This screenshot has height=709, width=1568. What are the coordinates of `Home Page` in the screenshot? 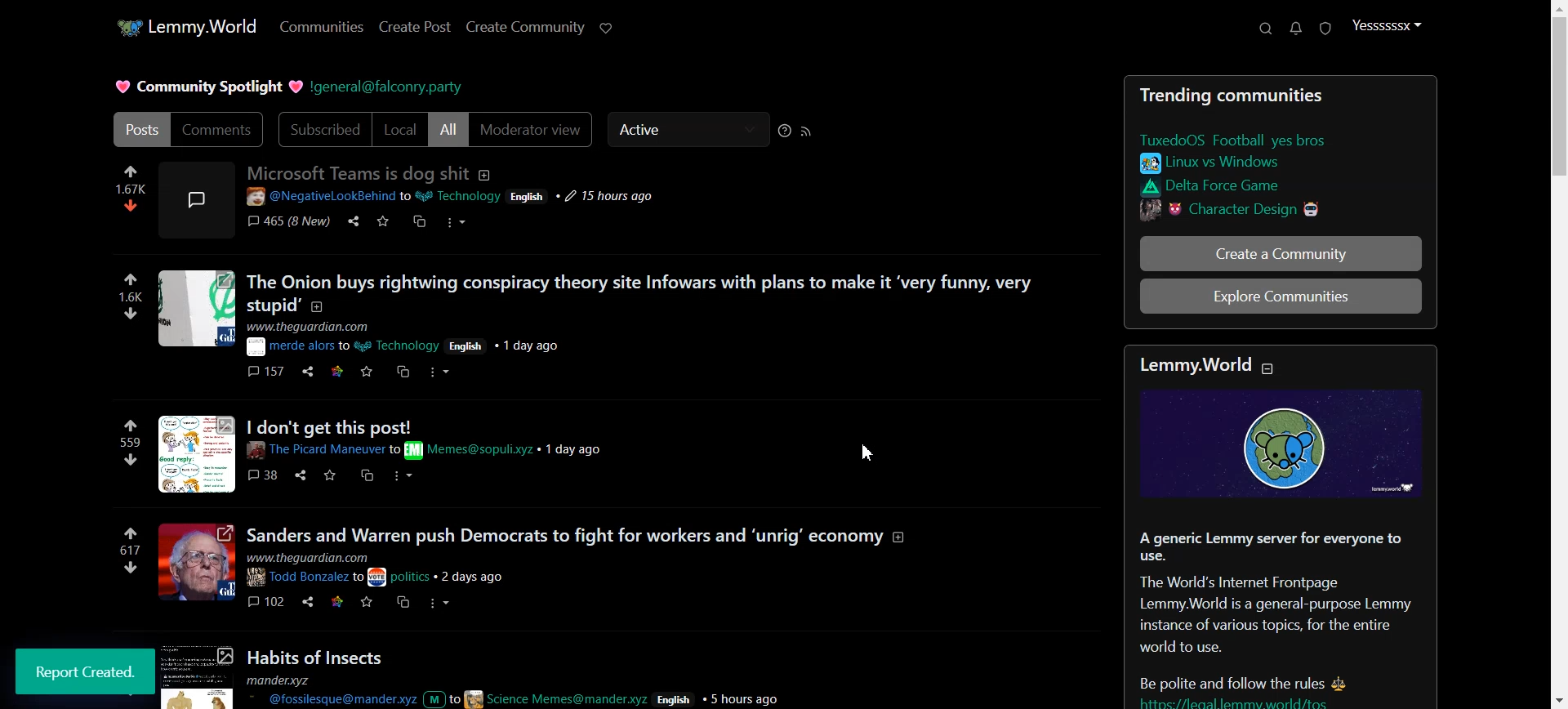 It's located at (186, 28).